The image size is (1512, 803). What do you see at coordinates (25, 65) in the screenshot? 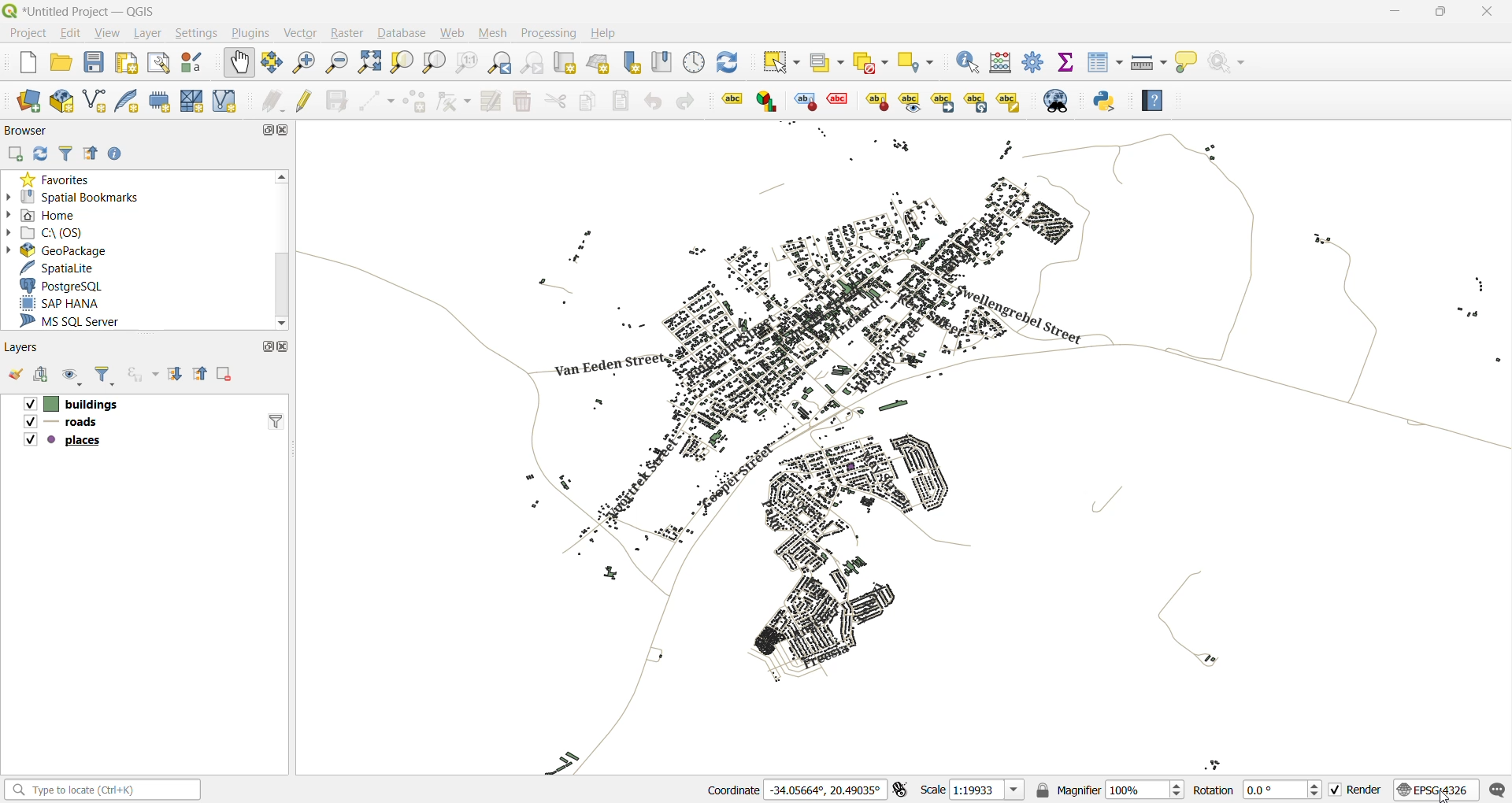
I see `new` at bounding box center [25, 65].